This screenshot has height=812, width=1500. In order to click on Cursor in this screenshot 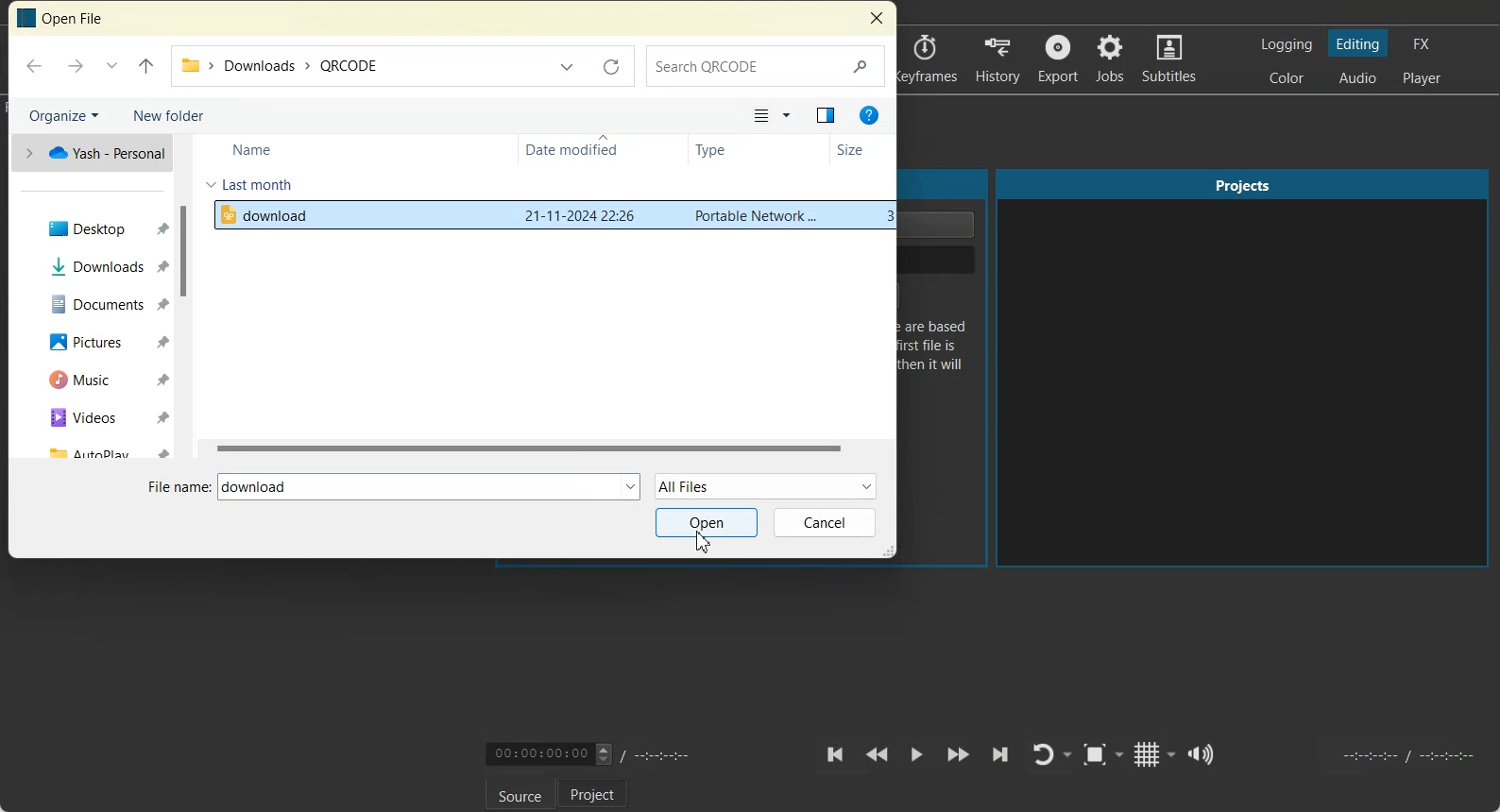, I will do `click(703, 542)`.